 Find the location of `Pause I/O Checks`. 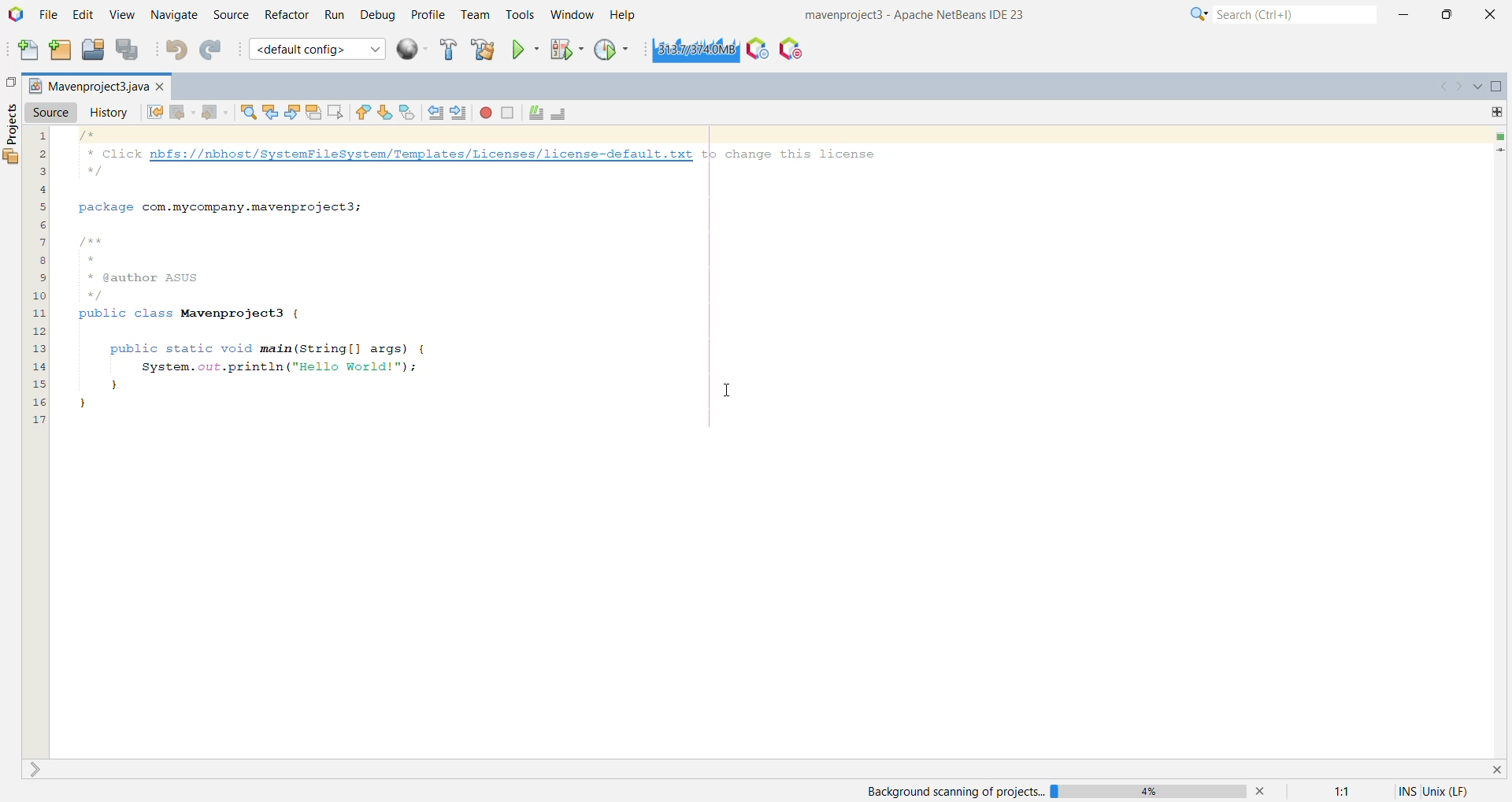

Pause I/O Checks is located at coordinates (793, 51).